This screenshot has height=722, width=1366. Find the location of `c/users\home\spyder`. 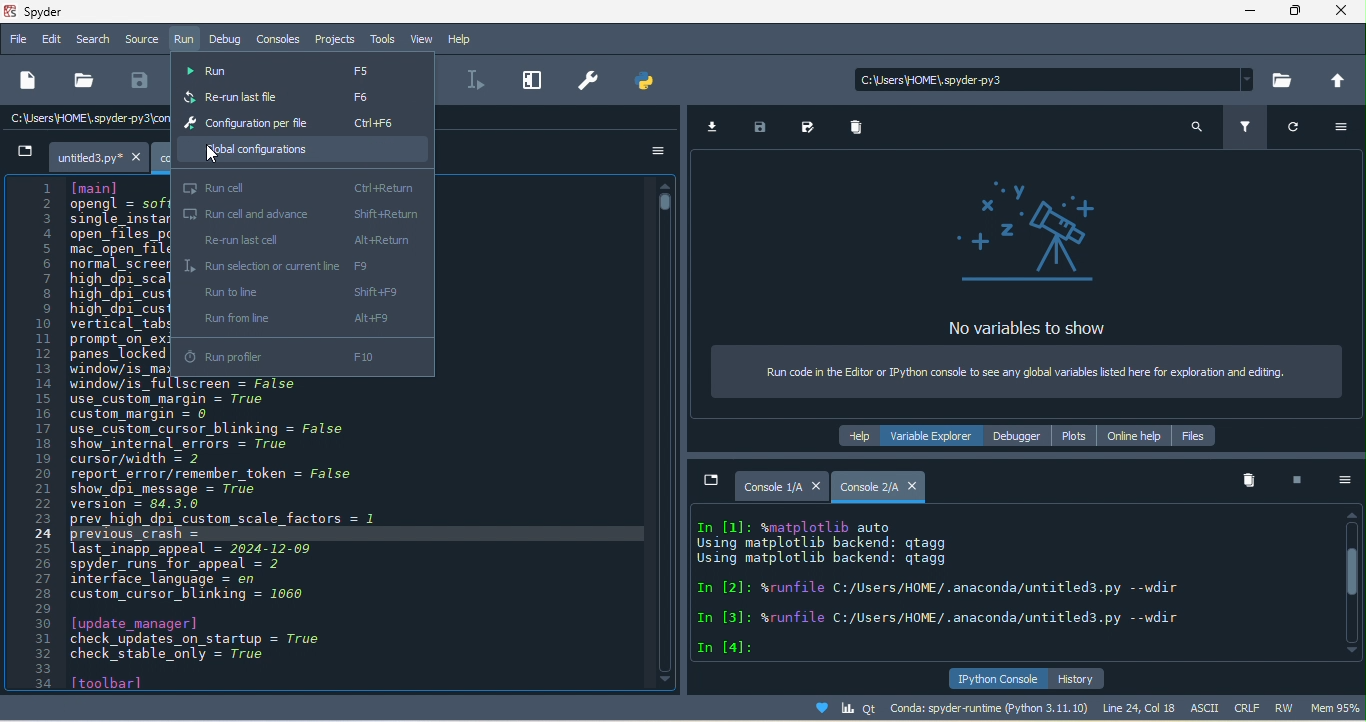

c/users\home\spyder is located at coordinates (85, 120).